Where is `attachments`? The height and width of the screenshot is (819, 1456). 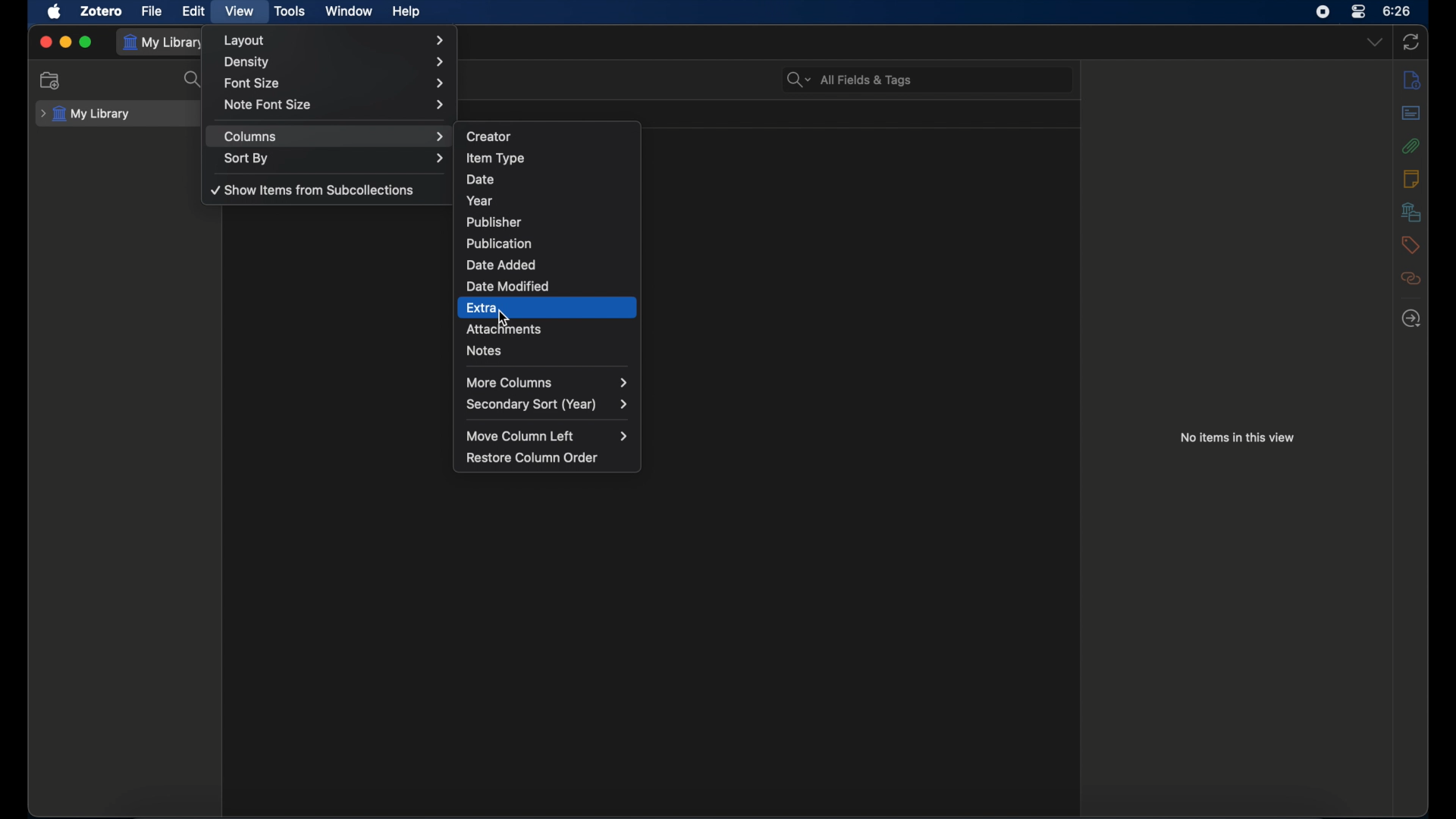 attachments is located at coordinates (1411, 145).